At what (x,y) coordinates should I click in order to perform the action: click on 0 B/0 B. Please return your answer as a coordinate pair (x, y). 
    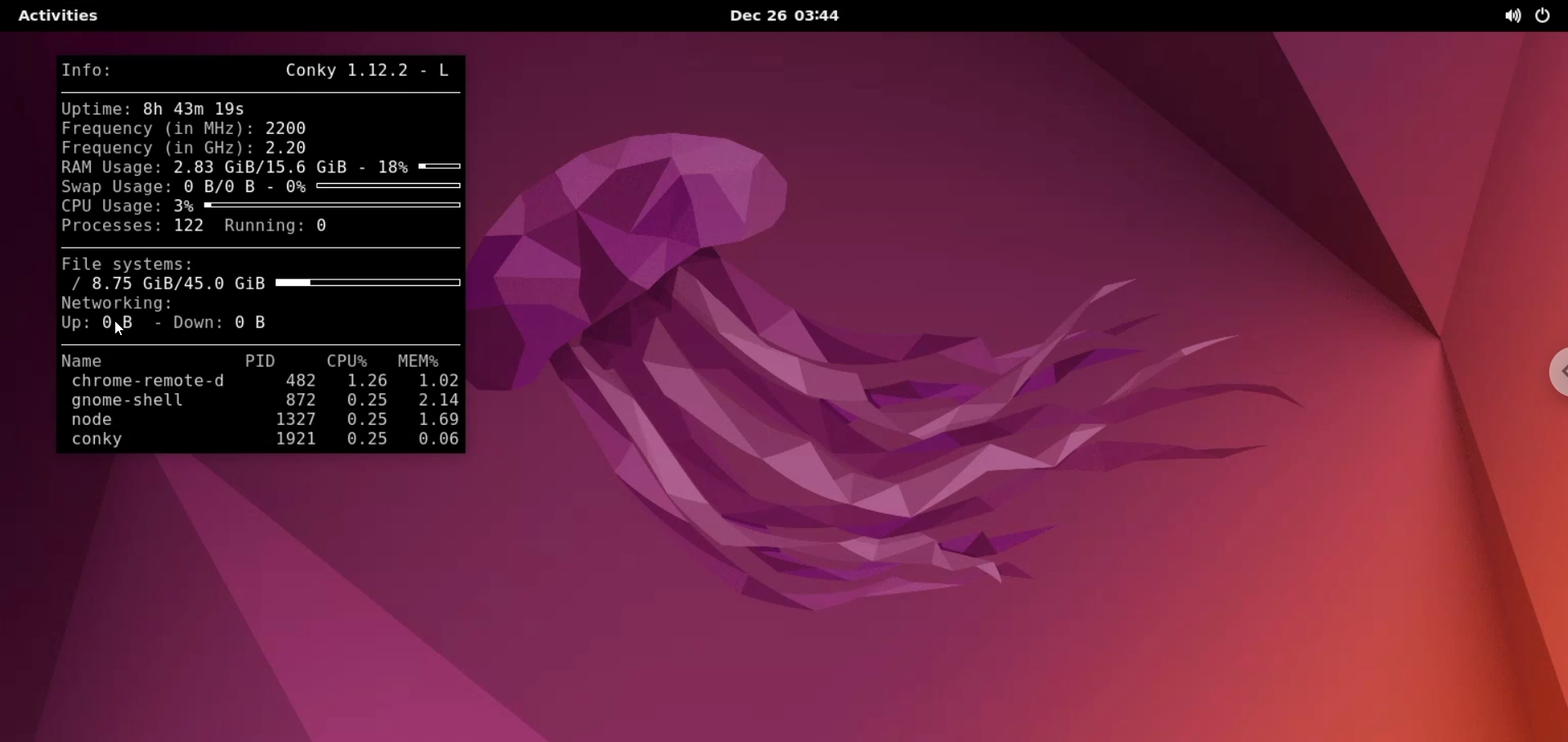
    Looking at the image, I should click on (227, 186).